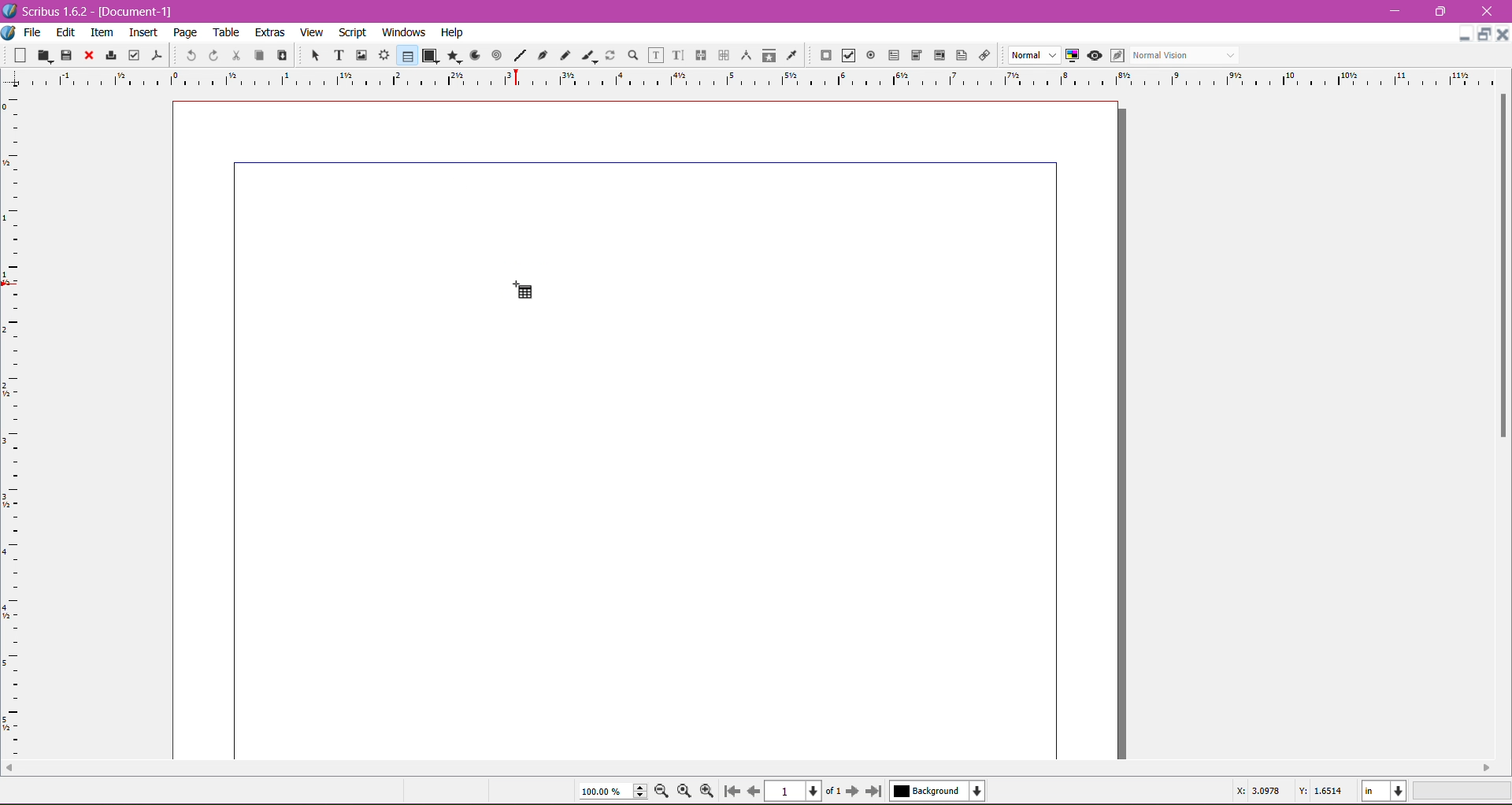 The image size is (1512, 805). Describe the element at coordinates (143, 30) in the screenshot. I see `Insert` at that location.